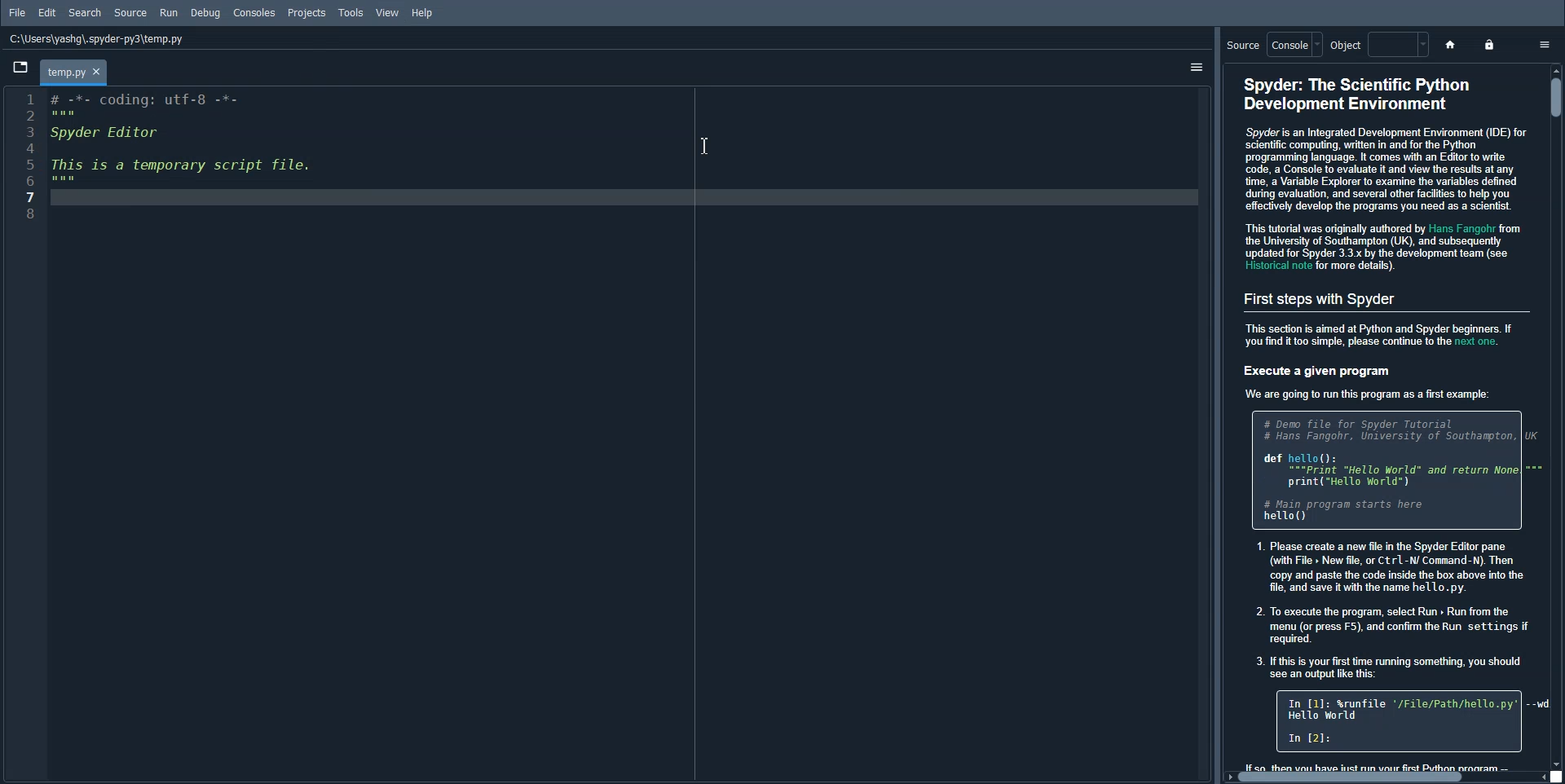 Image resolution: width=1565 pixels, height=784 pixels. I want to click on Search, so click(86, 13).